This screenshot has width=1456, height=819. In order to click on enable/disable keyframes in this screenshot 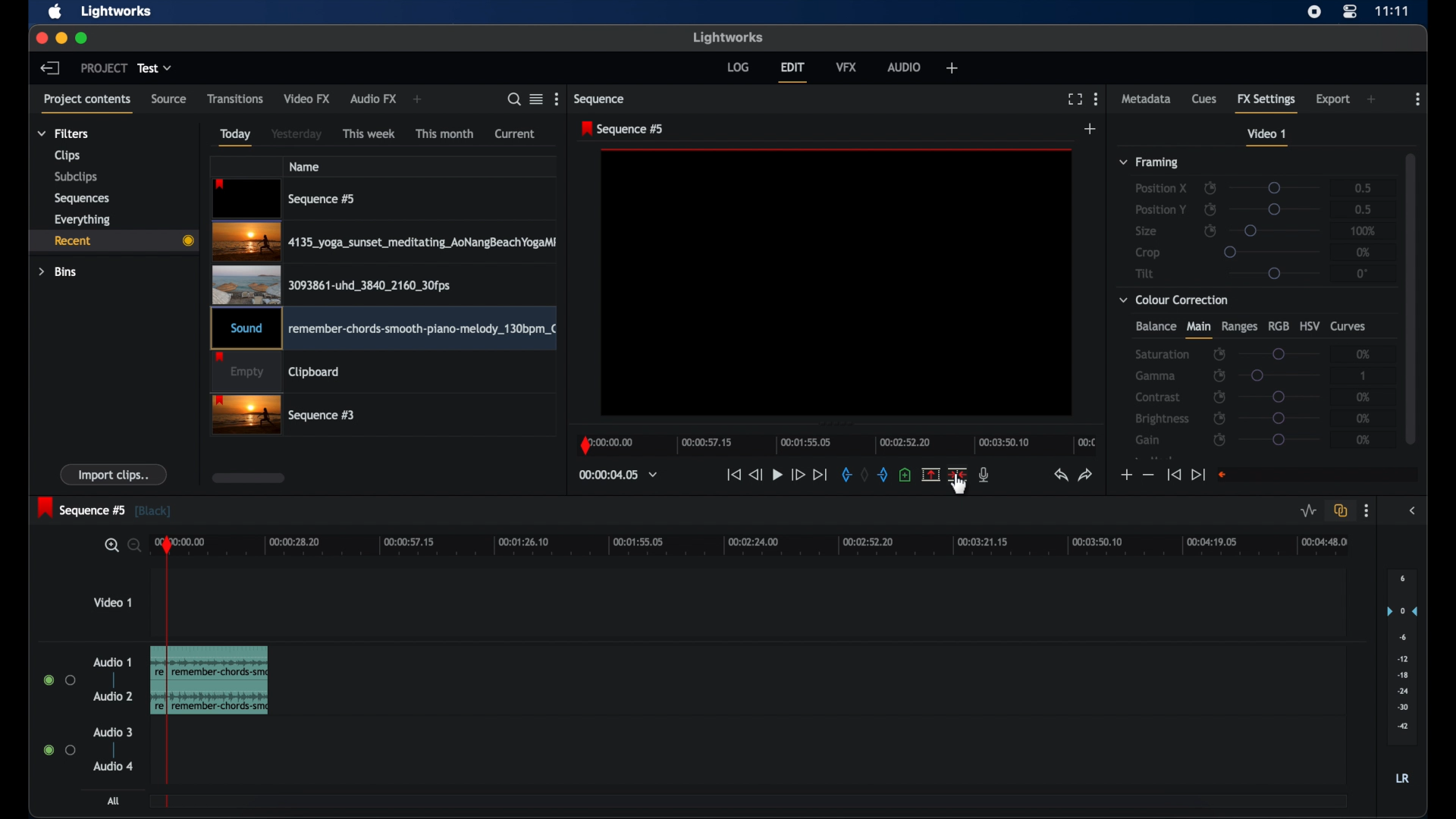, I will do `click(1219, 418)`.